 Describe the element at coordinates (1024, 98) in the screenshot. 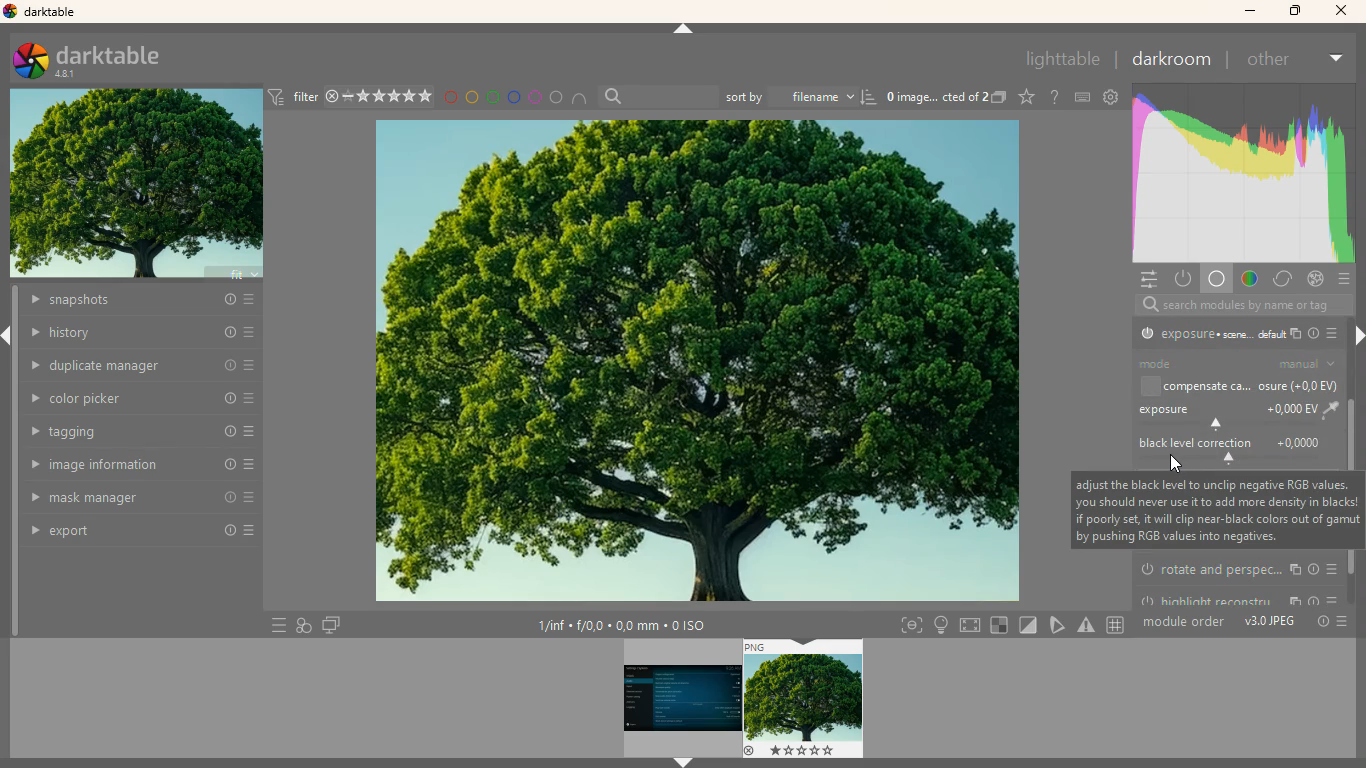

I see `favorite` at that location.